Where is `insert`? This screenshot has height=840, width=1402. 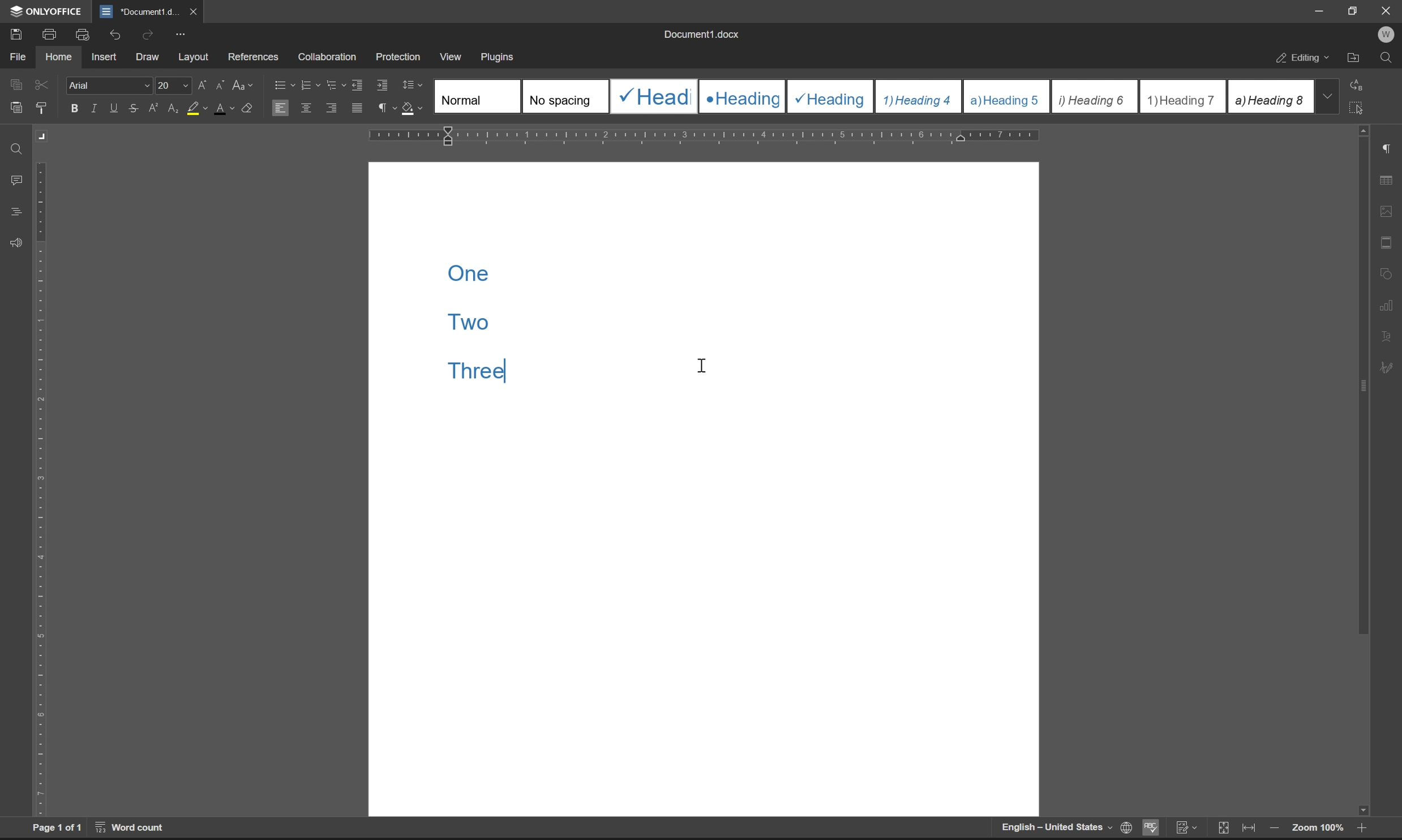 insert is located at coordinates (104, 56).